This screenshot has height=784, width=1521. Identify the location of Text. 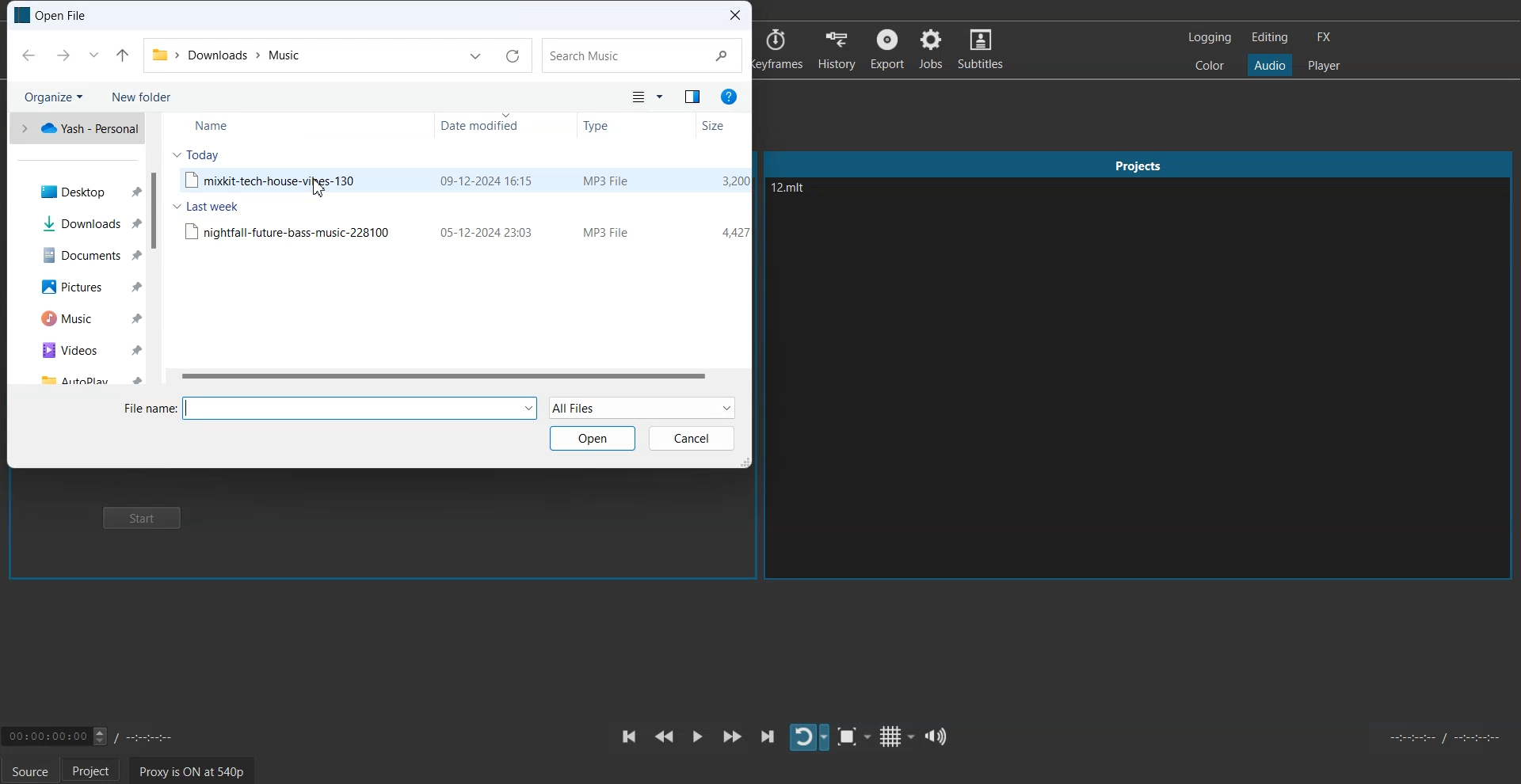
(51, 15).